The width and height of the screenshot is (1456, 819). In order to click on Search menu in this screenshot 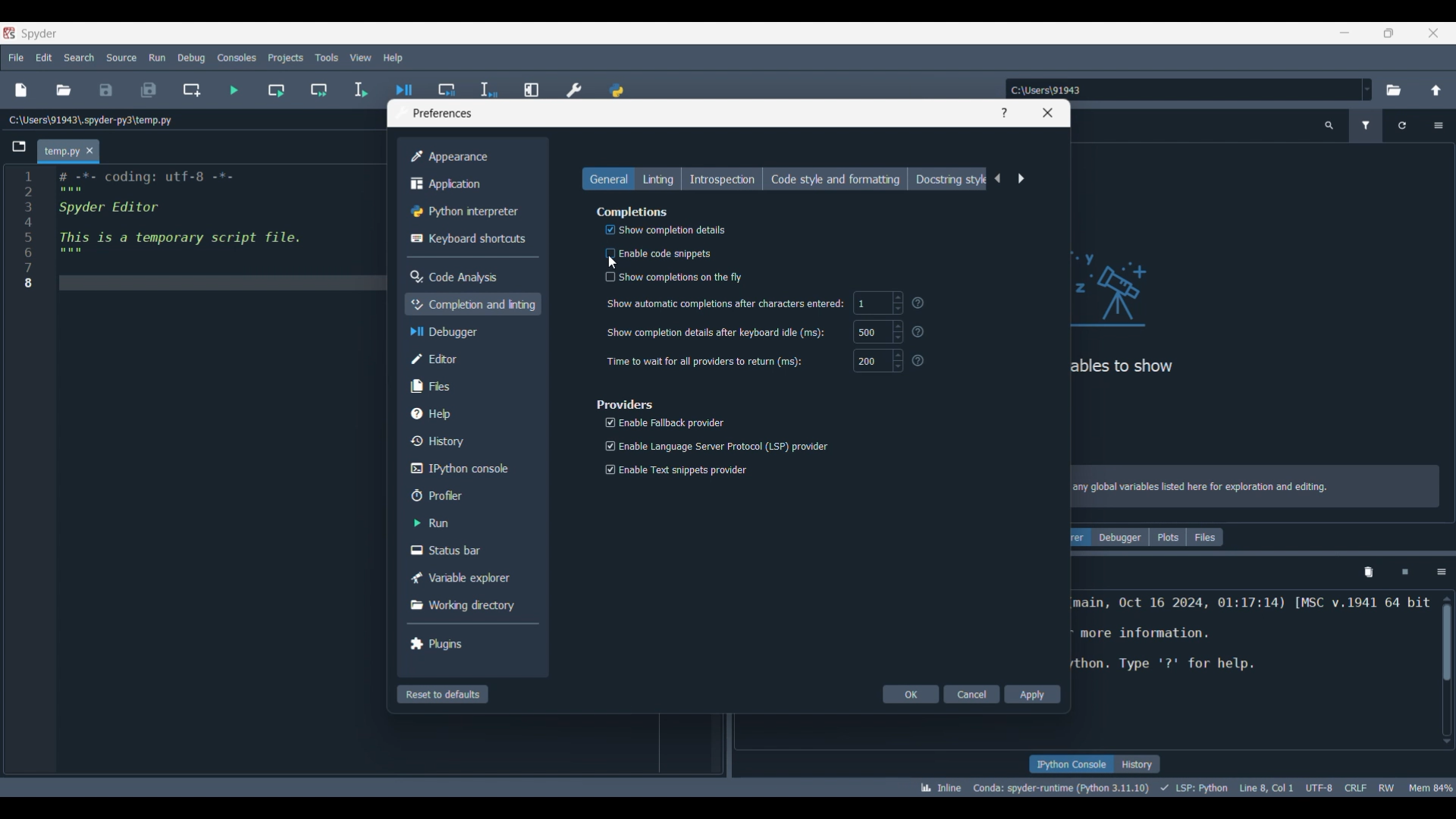, I will do `click(79, 58)`.